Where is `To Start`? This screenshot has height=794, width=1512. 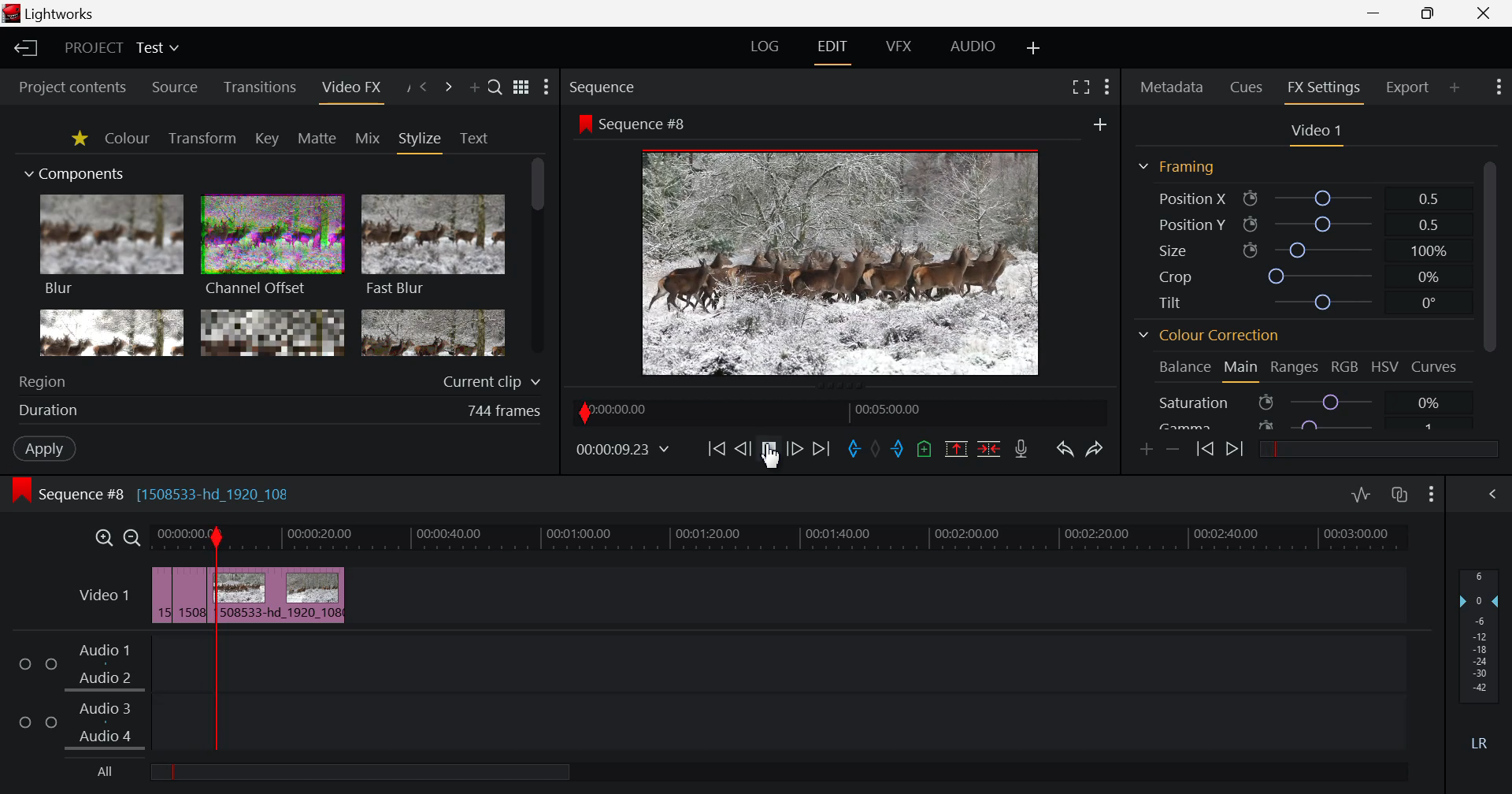
To Start is located at coordinates (717, 449).